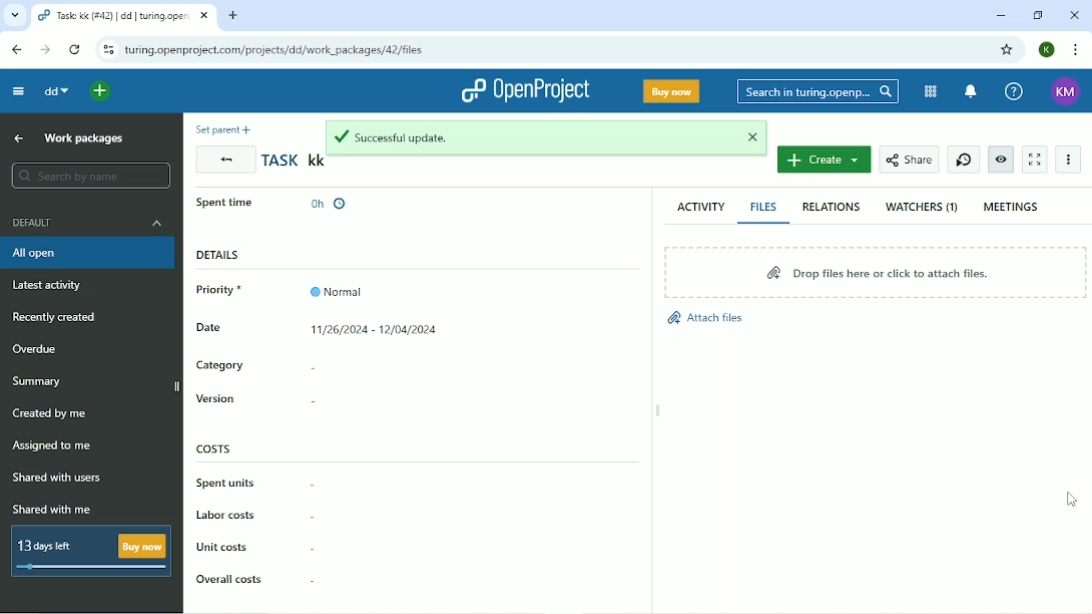 This screenshot has height=614, width=1092. I want to click on spent time, so click(230, 201).